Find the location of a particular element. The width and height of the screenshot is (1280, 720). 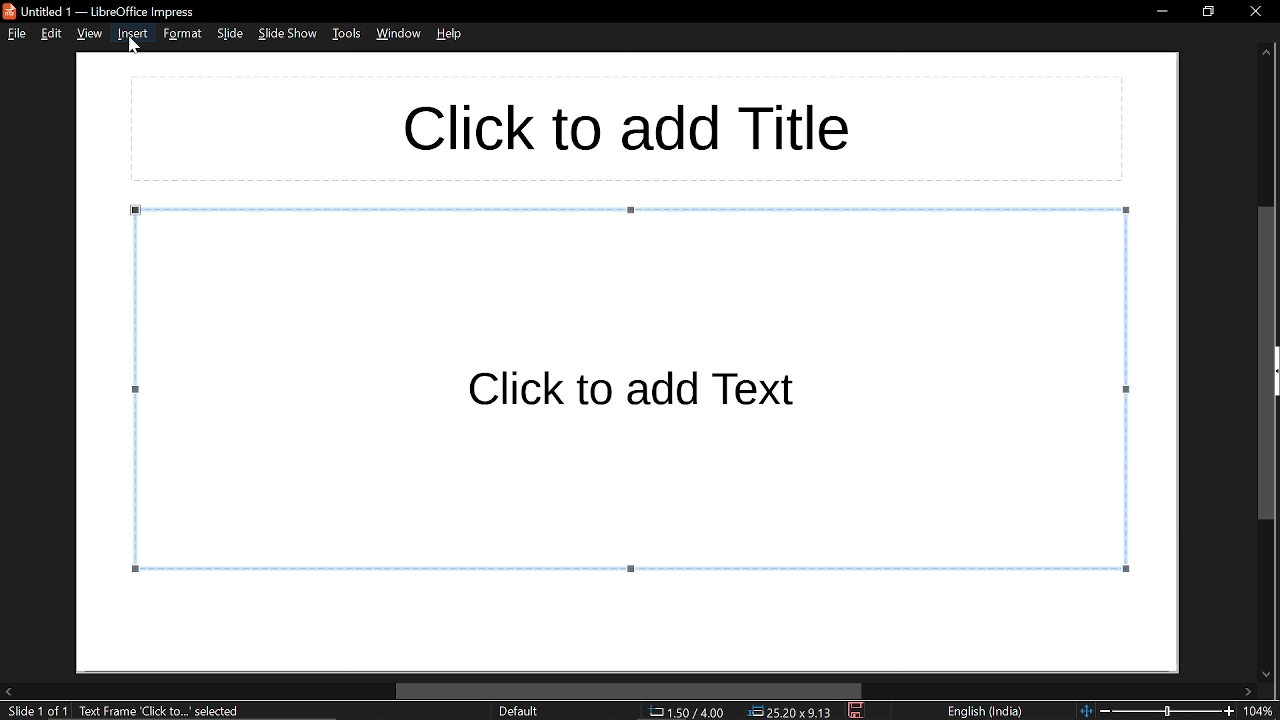

save is located at coordinates (857, 711).